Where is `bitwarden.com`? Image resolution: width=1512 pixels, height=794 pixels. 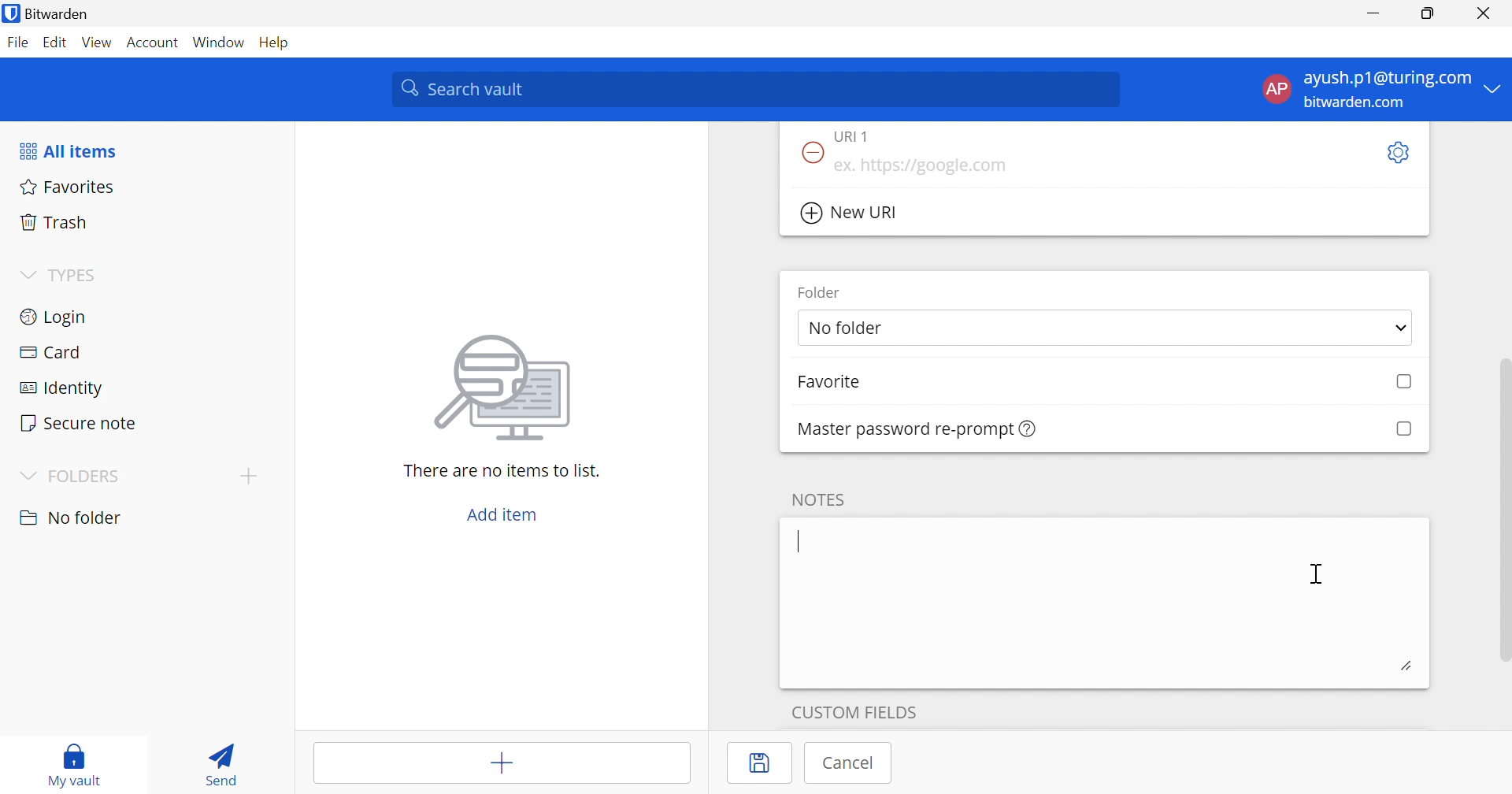
bitwarden.com is located at coordinates (1358, 103).